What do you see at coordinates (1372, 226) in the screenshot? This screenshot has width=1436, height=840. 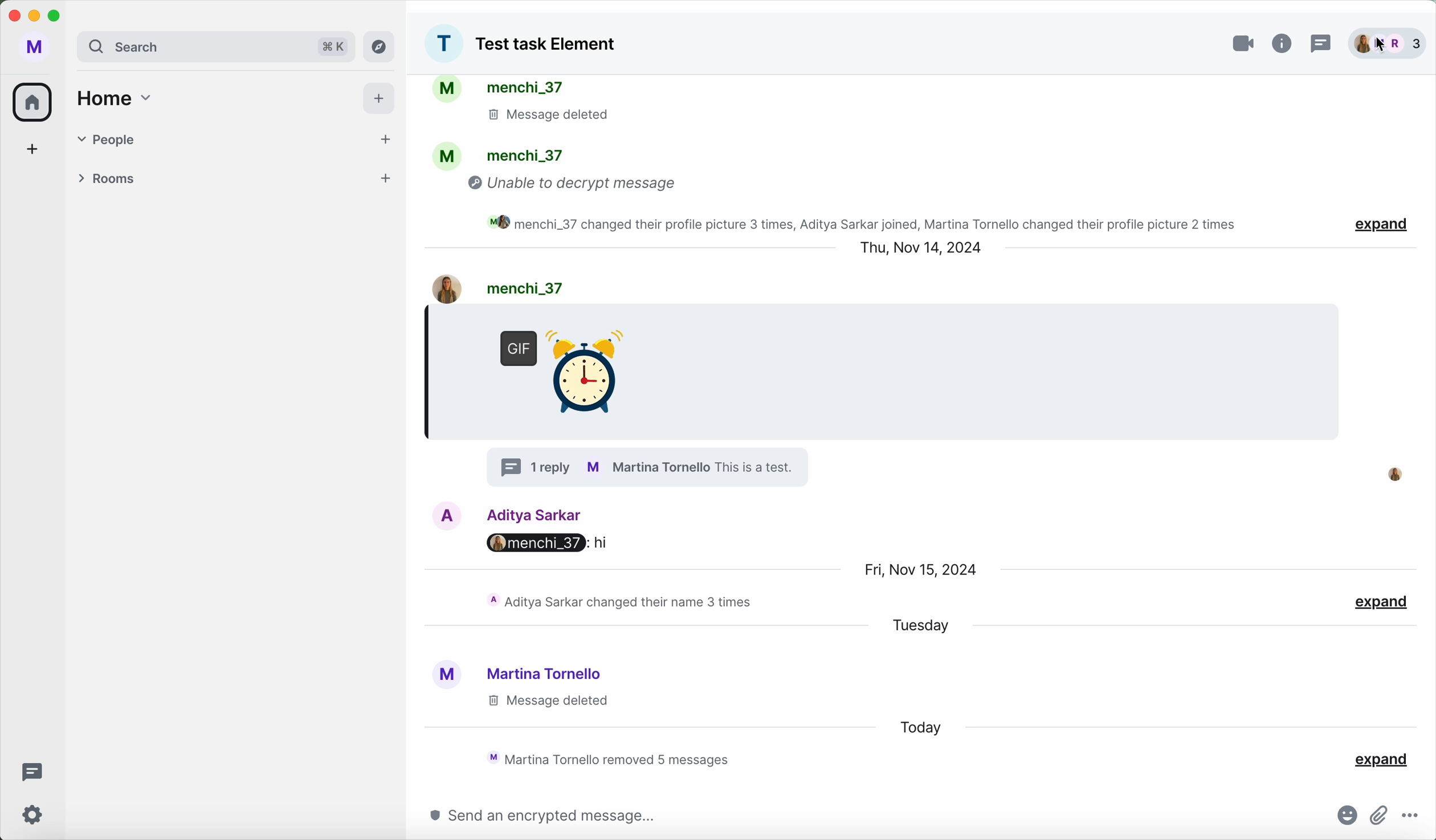 I see `expand` at bounding box center [1372, 226].